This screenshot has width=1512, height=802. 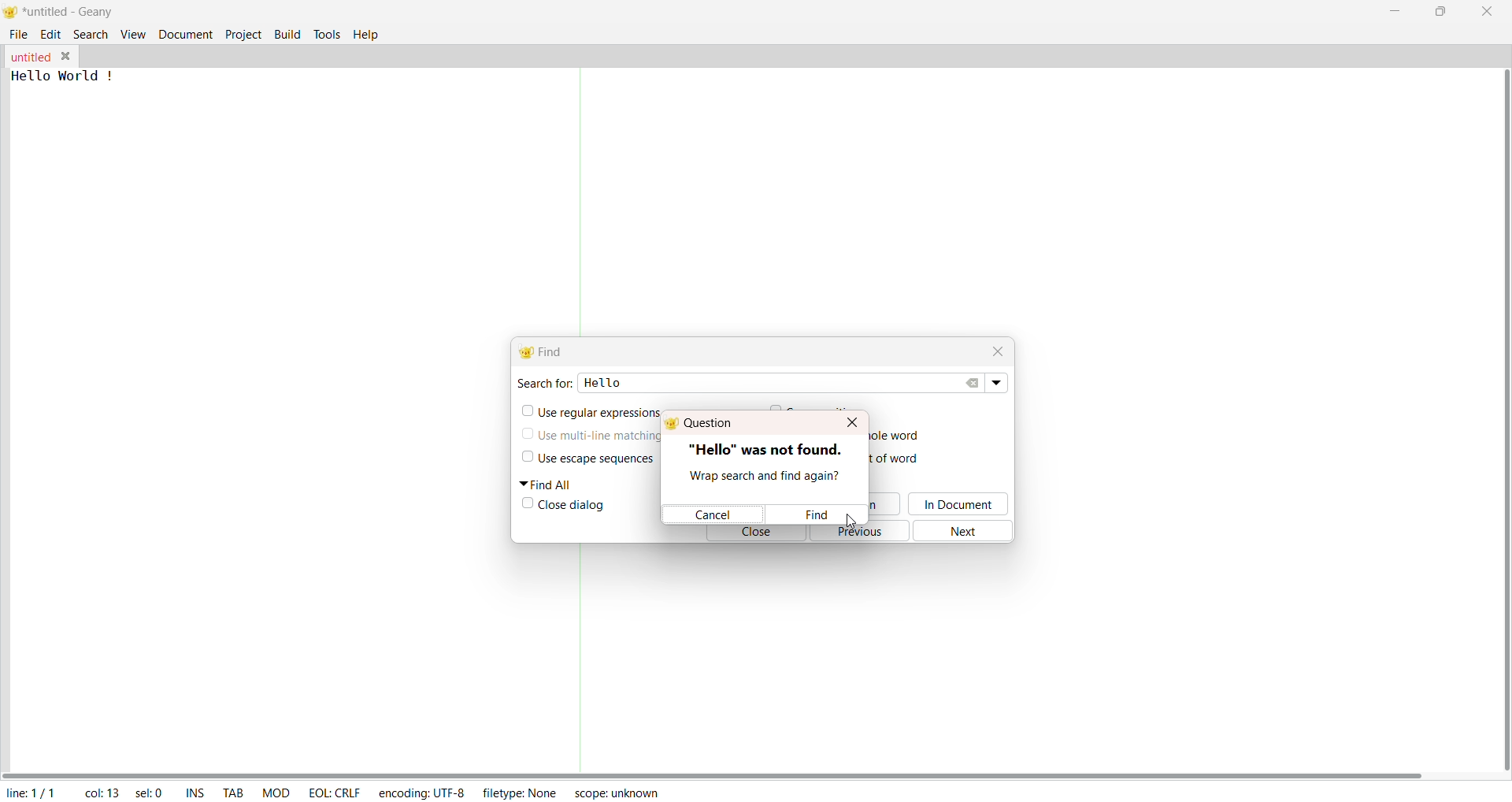 What do you see at coordinates (231, 789) in the screenshot?
I see `TAB` at bounding box center [231, 789].